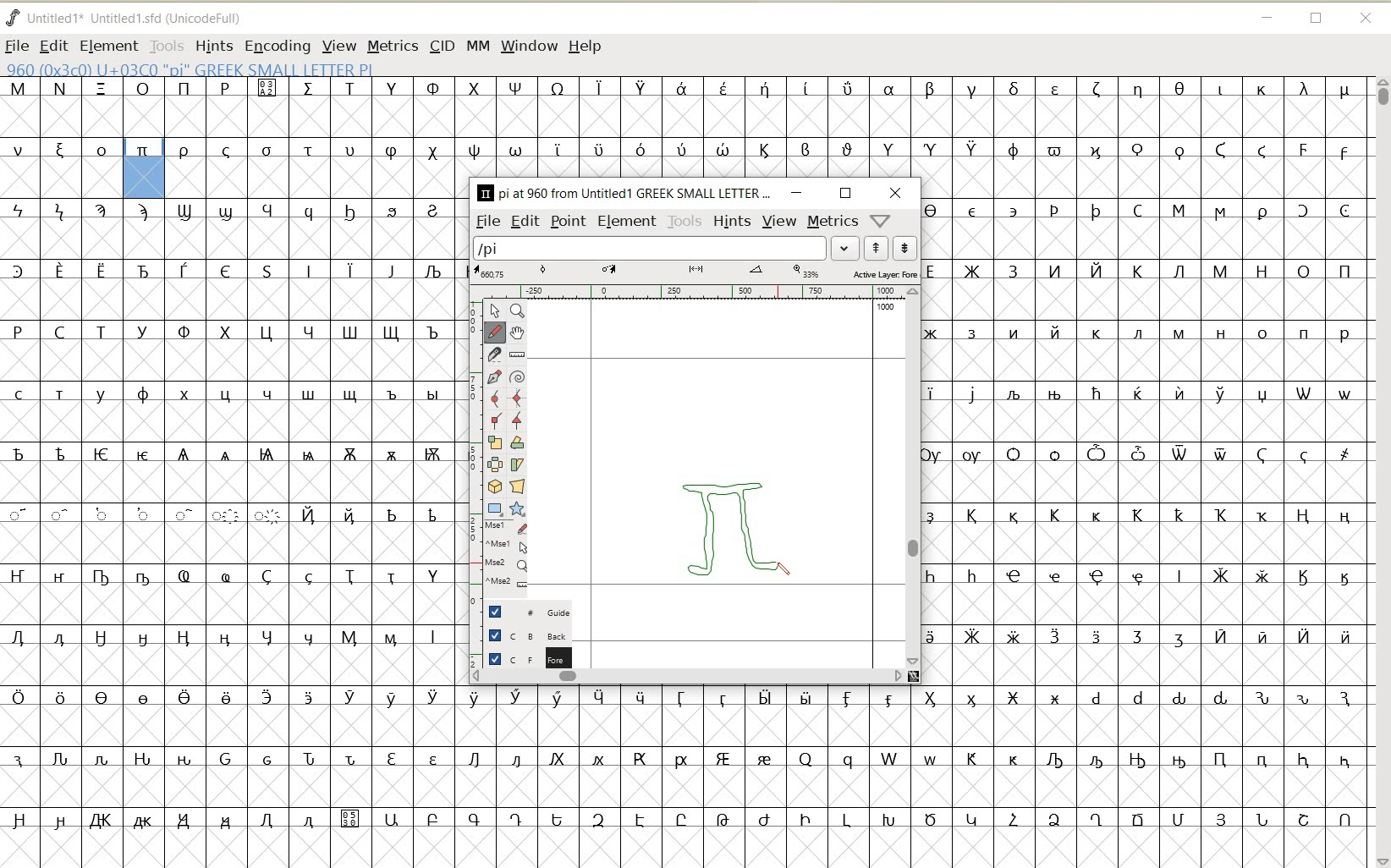  What do you see at coordinates (898, 194) in the screenshot?
I see `CLOSE` at bounding box center [898, 194].